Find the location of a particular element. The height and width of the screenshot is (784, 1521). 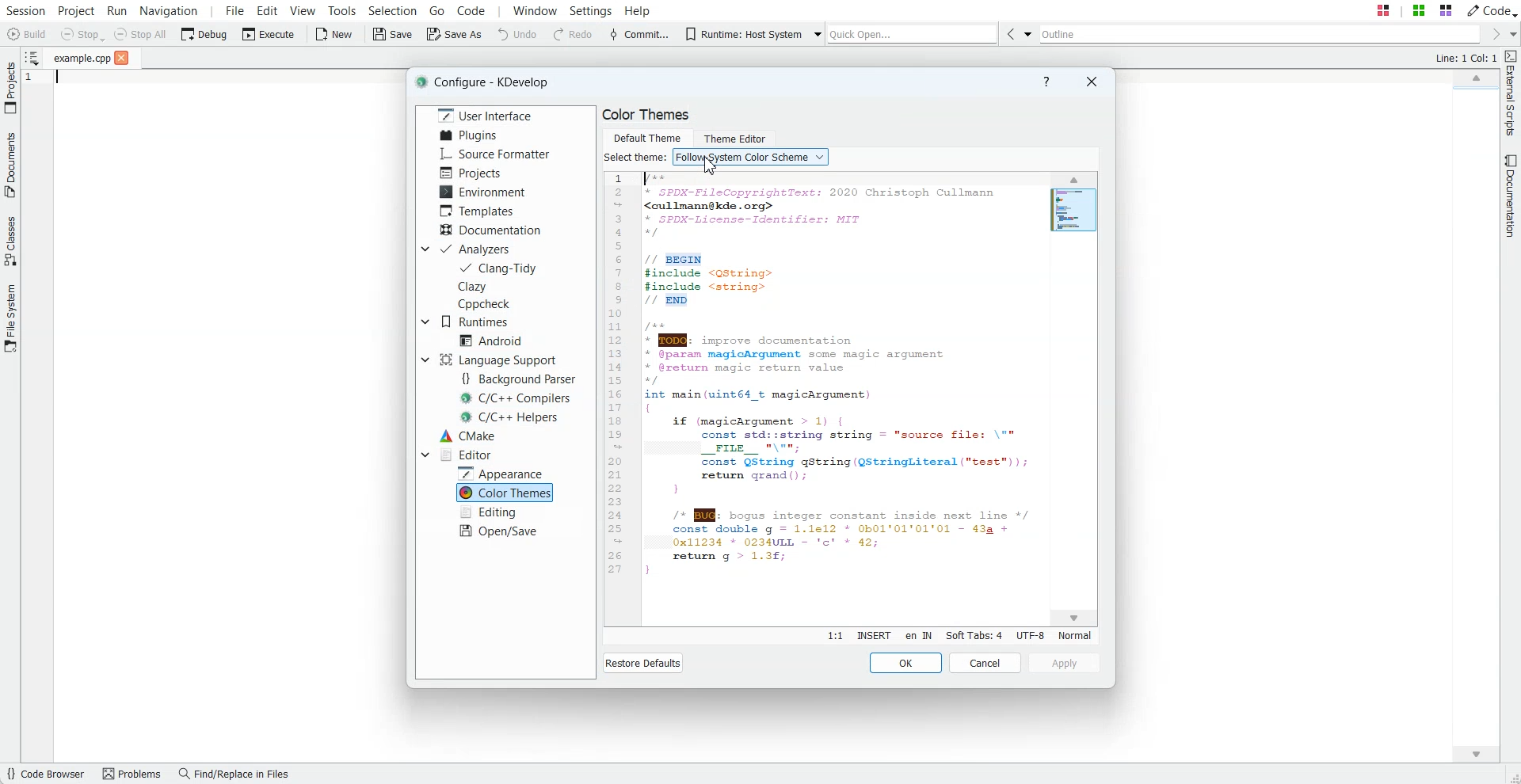

User Interface is located at coordinates (482, 115).